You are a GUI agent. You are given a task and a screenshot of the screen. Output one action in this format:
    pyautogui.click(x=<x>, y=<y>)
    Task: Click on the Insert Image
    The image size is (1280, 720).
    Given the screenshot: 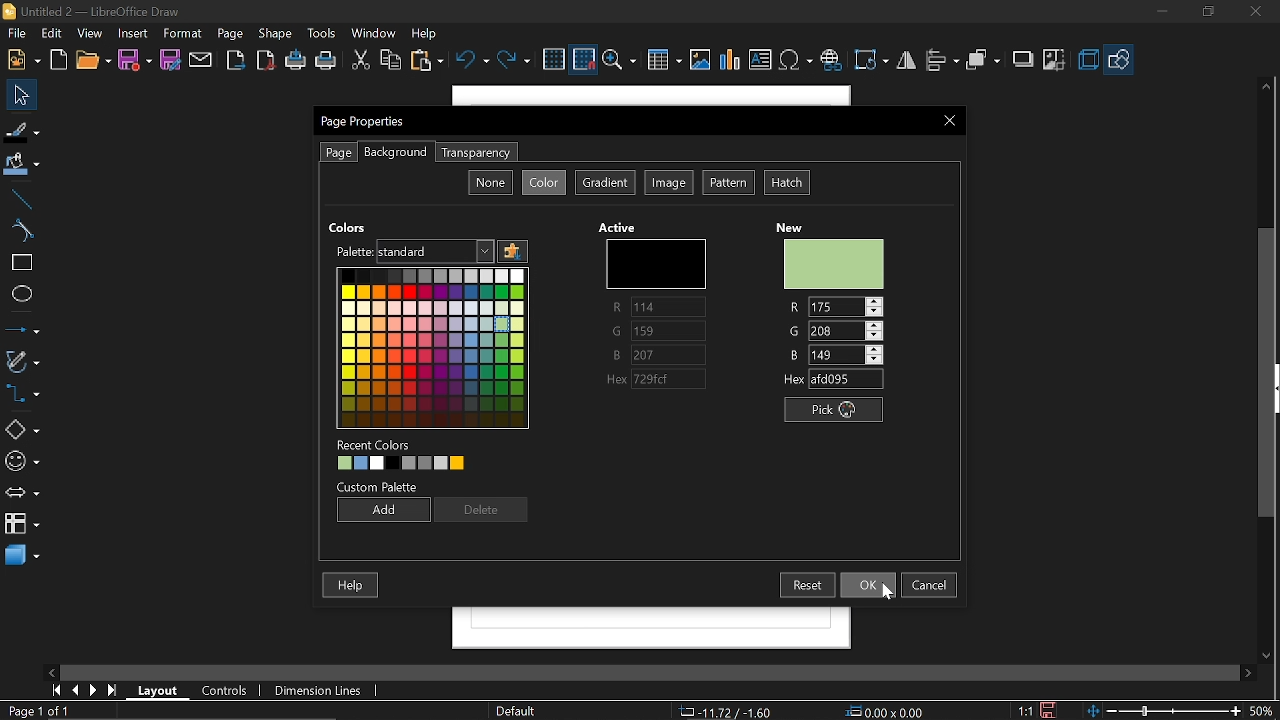 What is the action you would take?
    pyautogui.click(x=701, y=61)
    